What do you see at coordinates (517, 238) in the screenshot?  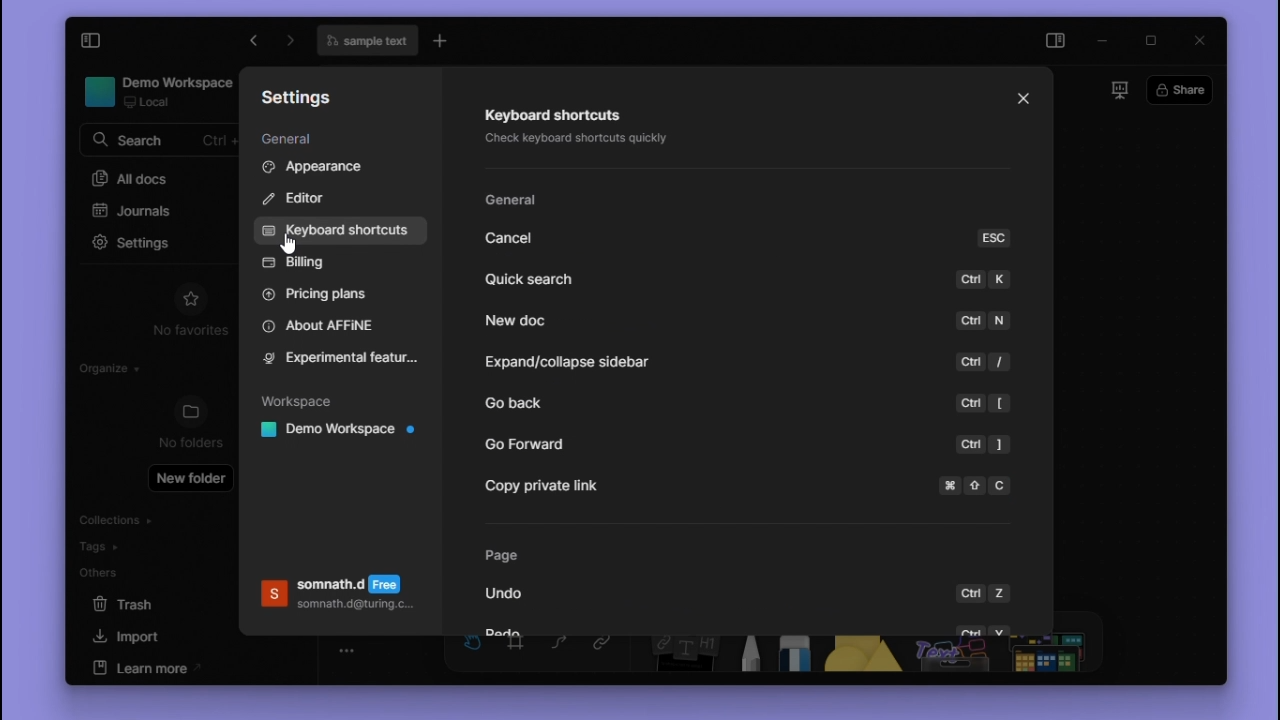 I see `Cancel` at bounding box center [517, 238].